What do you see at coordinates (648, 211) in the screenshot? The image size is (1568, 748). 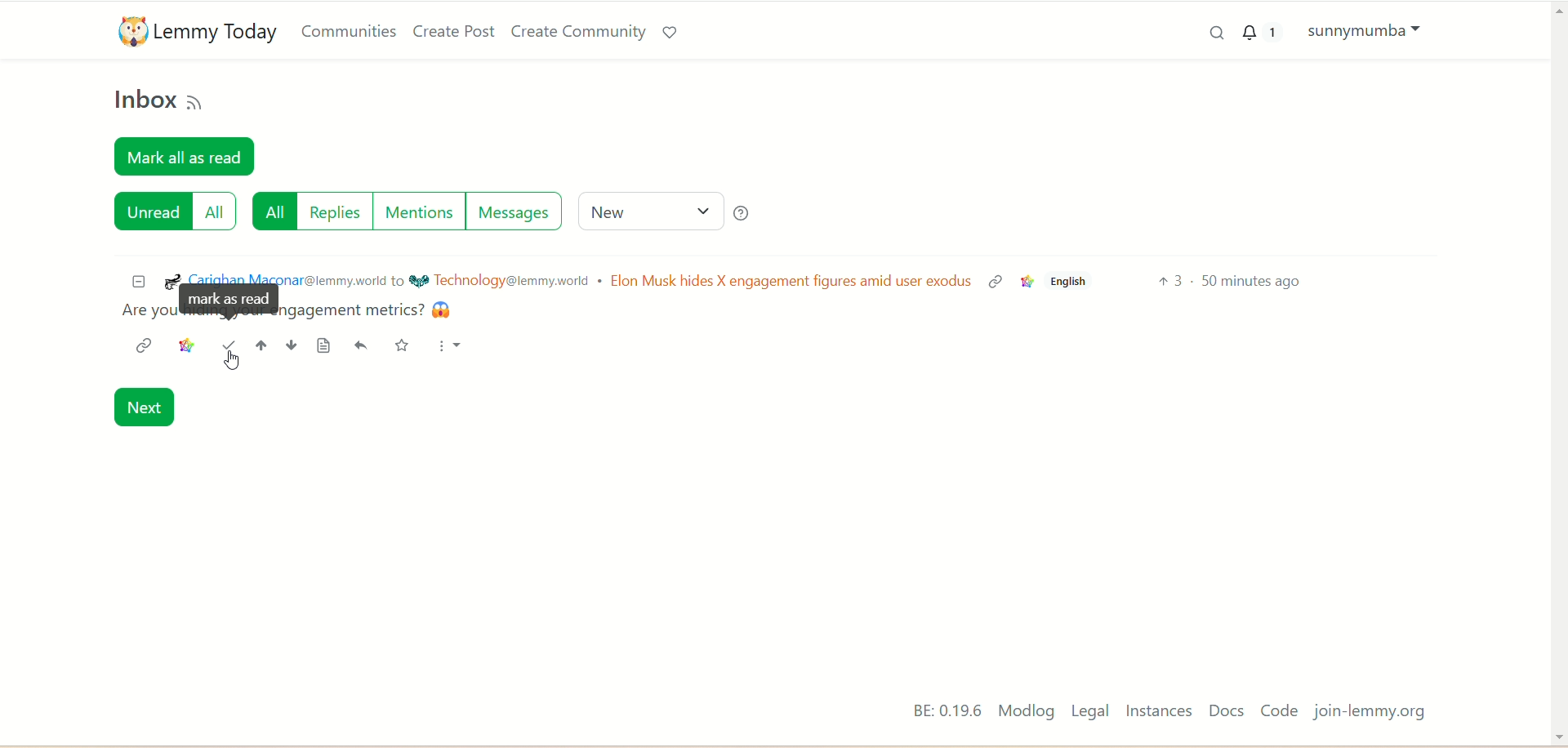 I see `new` at bounding box center [648, 211].